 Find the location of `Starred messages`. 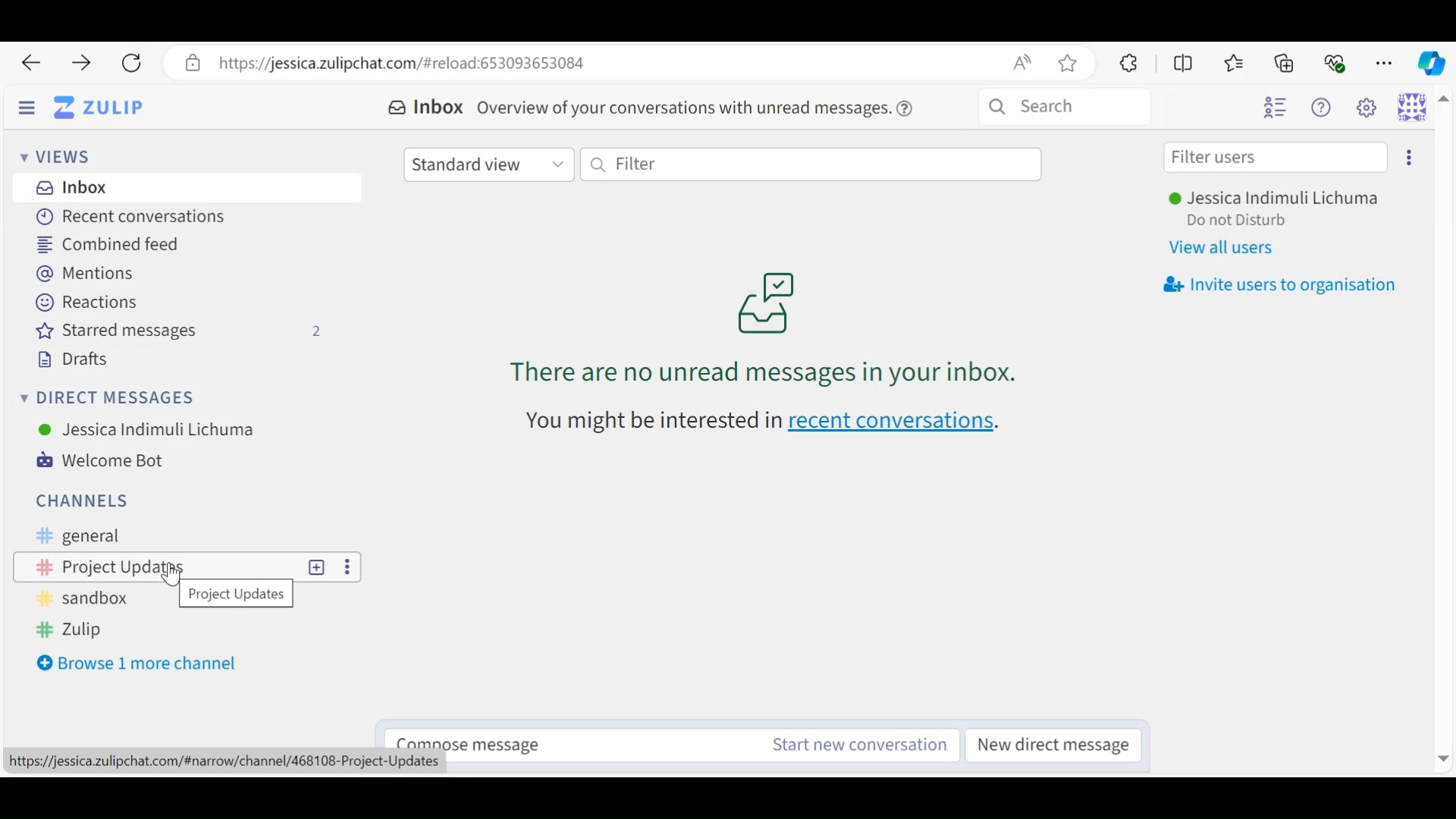

Starred messages is located at coordinates (184, 331).